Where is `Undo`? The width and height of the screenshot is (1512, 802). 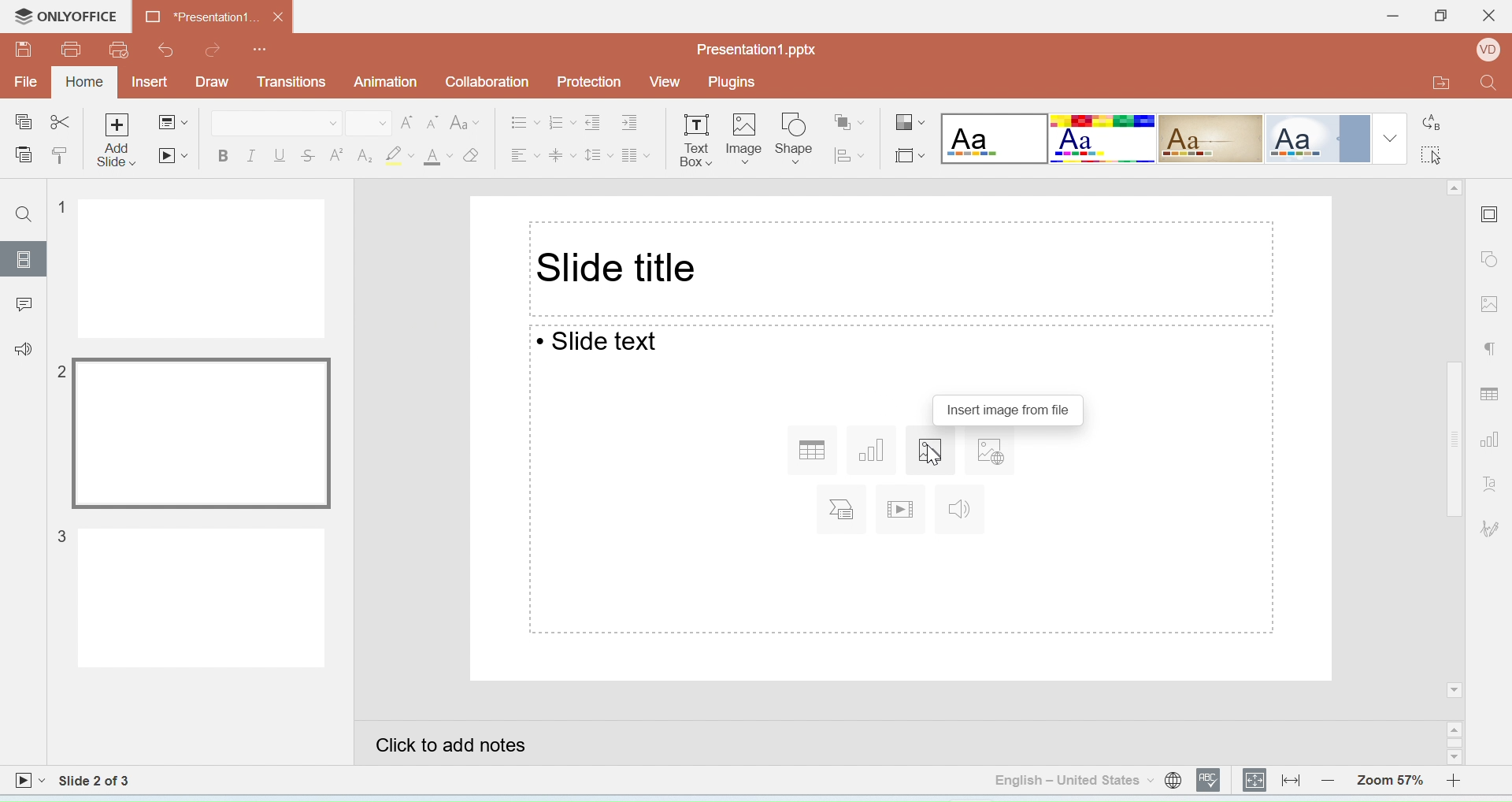
Undo is located at coordinates (163, 50).